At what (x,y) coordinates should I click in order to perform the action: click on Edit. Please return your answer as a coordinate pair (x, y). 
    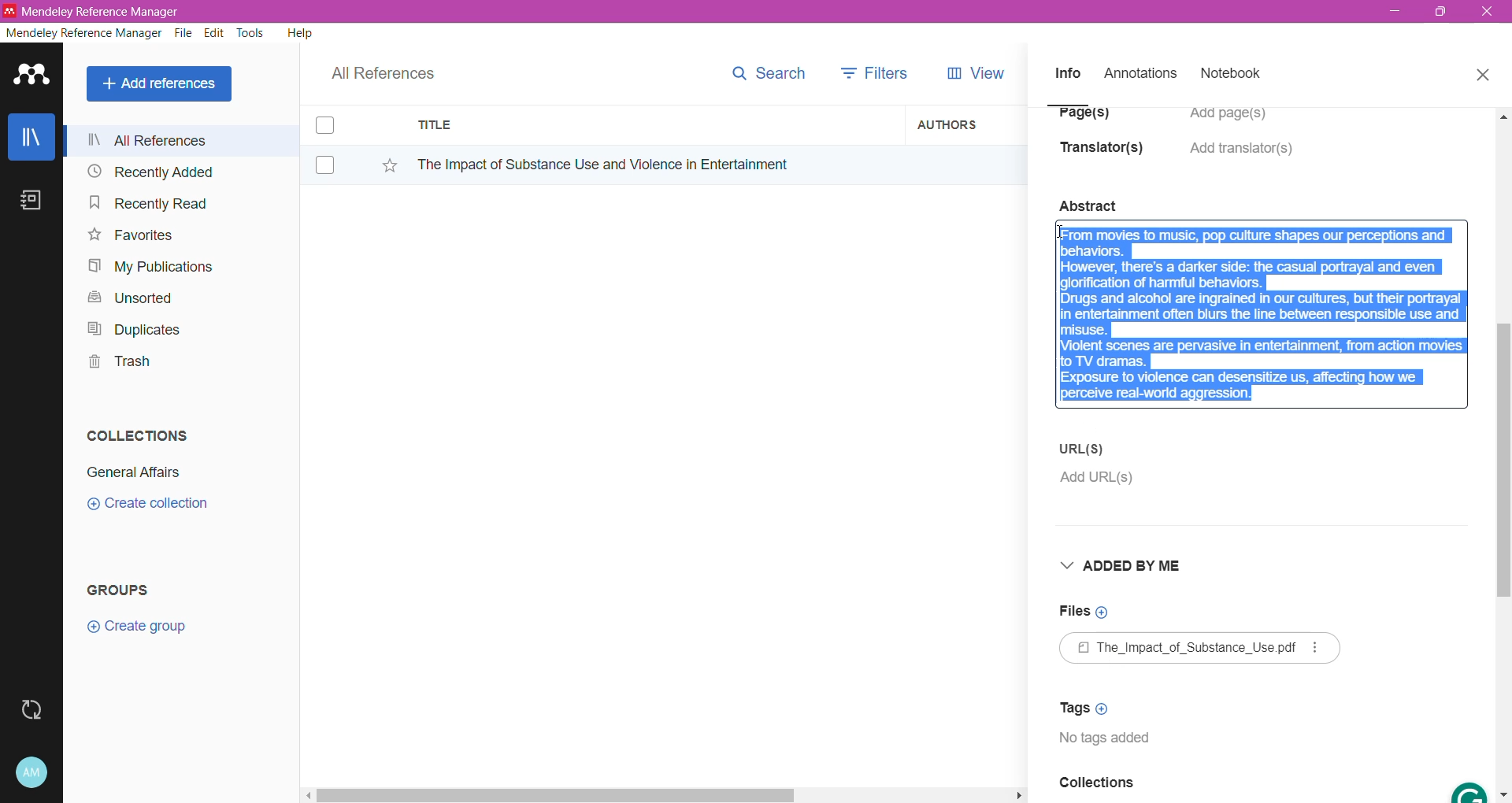
    Looking at the image, I should click on (214, 33).